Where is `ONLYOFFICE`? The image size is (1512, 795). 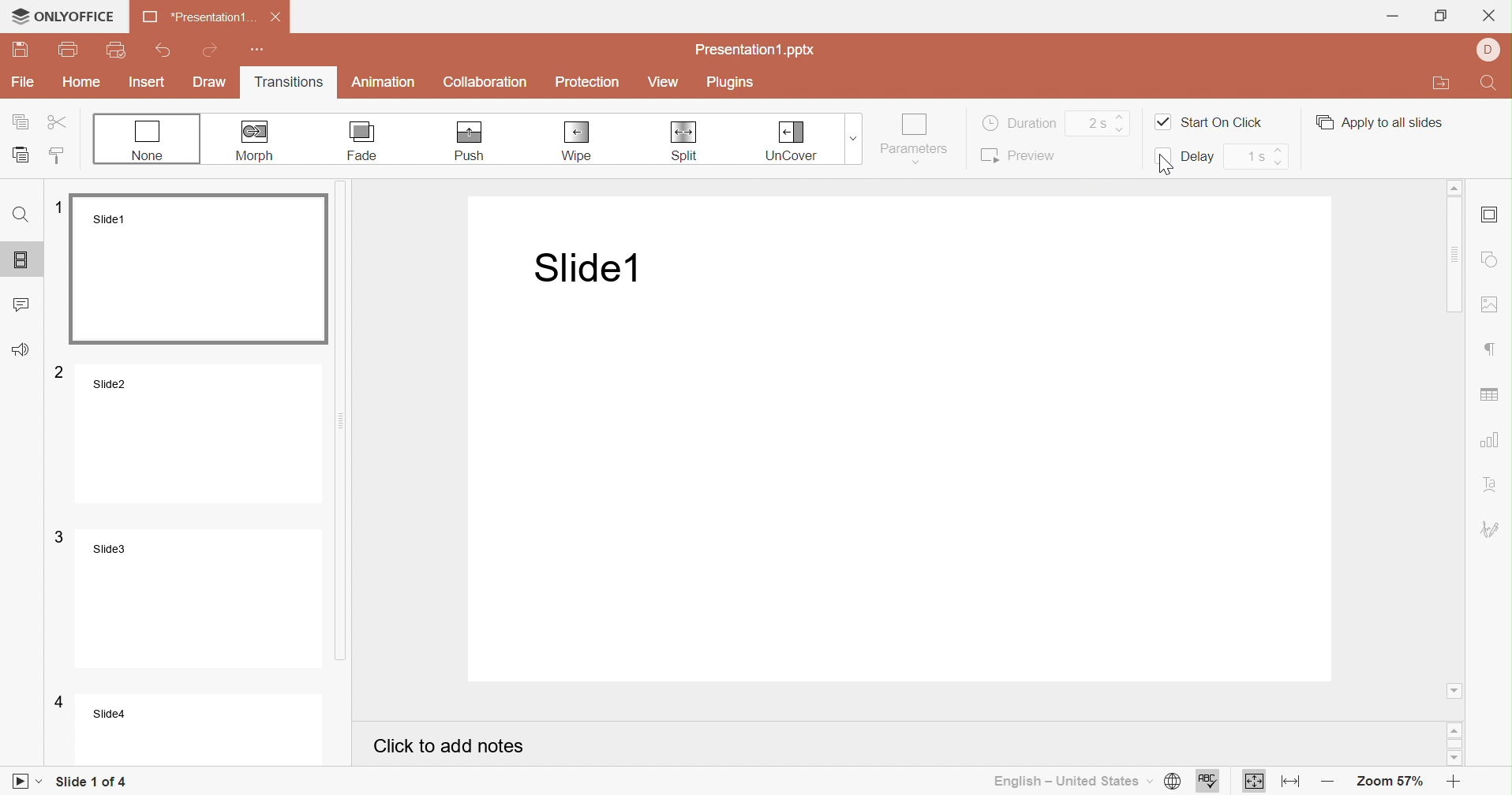
ONLYOFFICE is located at coordinates (62, 16).